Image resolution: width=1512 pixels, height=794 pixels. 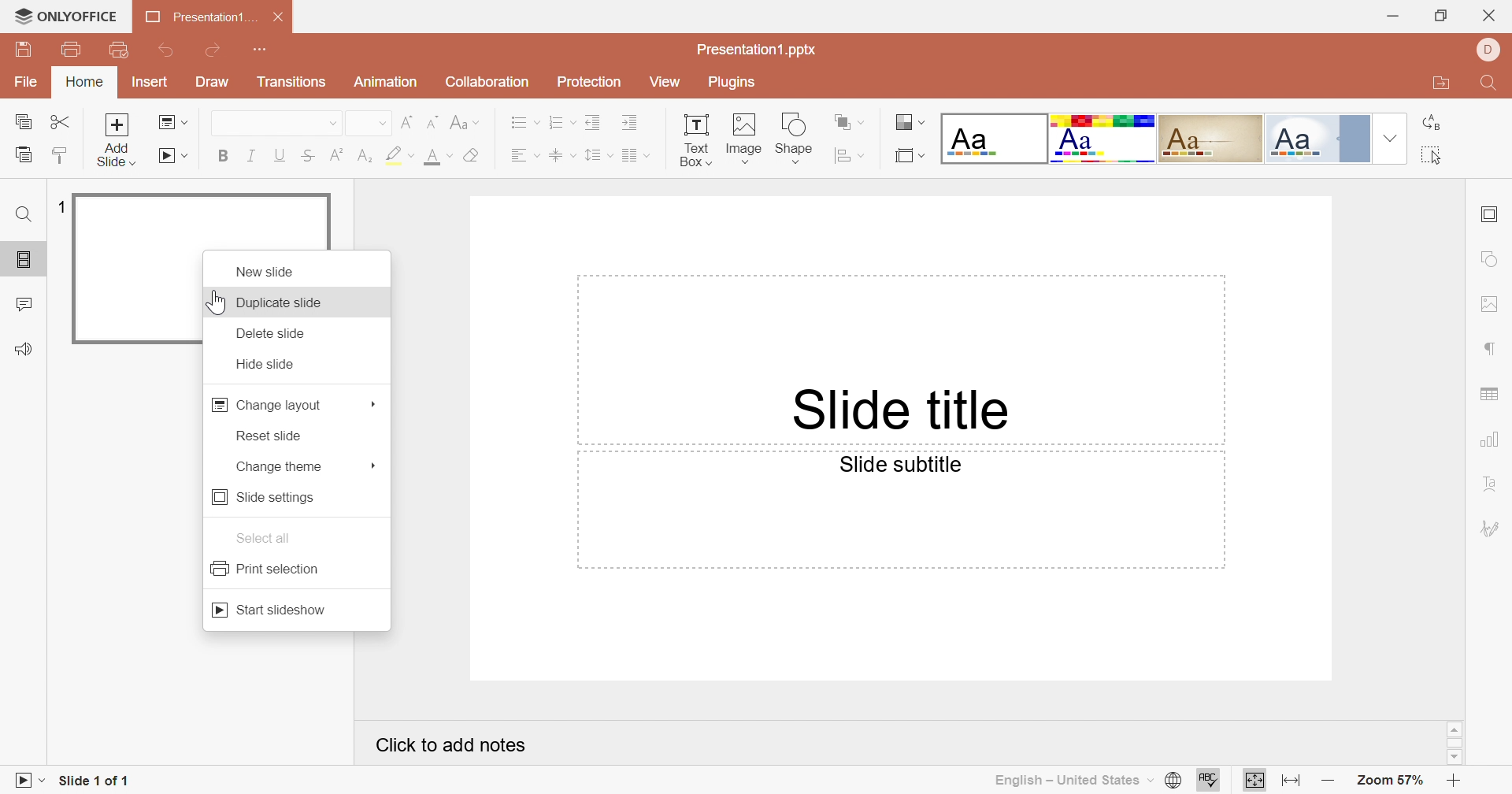 What do you see at coordinates (1492, 305) in the screenshot?
I see `image settings` at bounding box center [1492, 305].